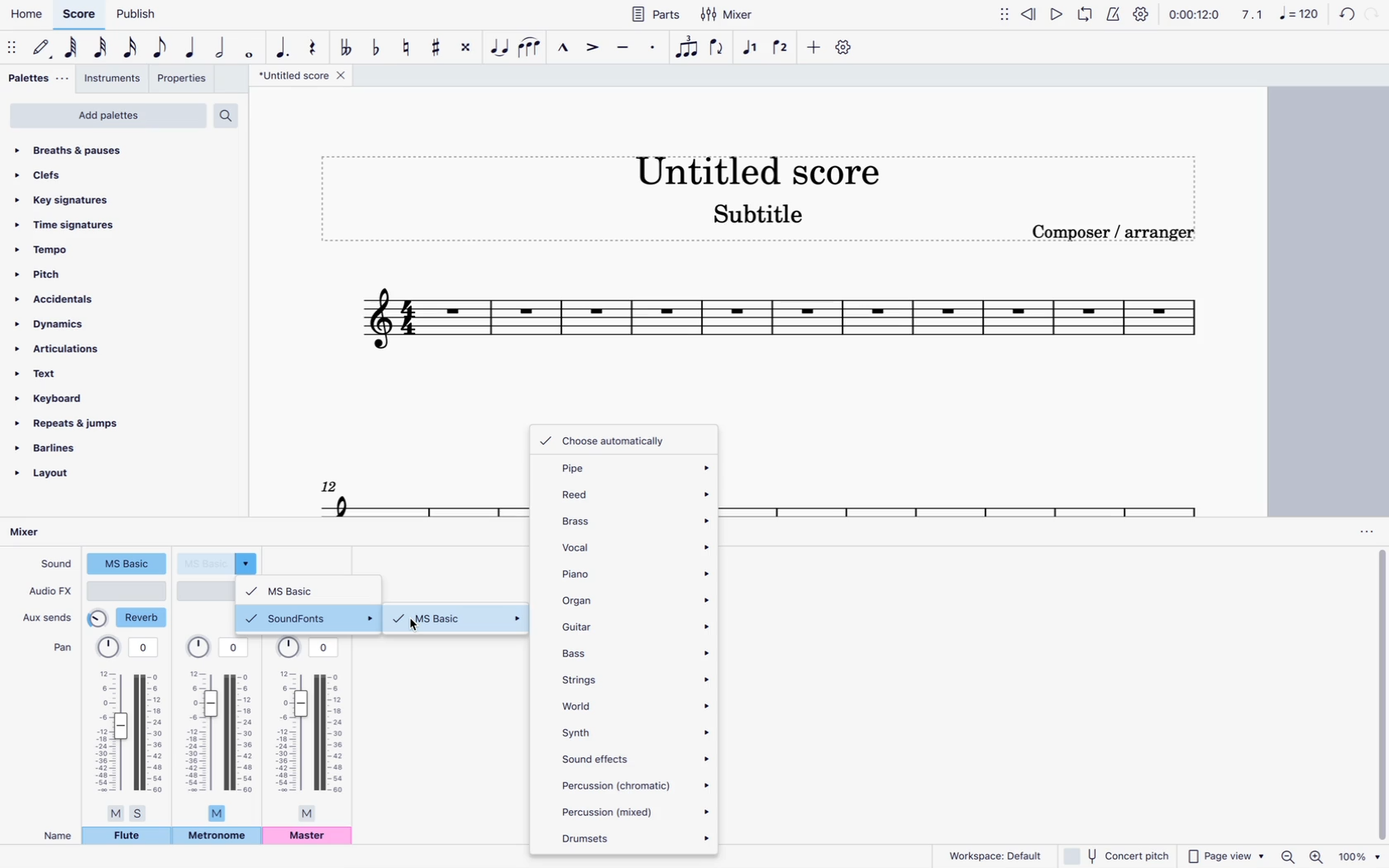 The image size is (1389, 868). What do you see at coordinates (633, 676) in the screenshot?
I see `strings` at bounding box center [633, 676].